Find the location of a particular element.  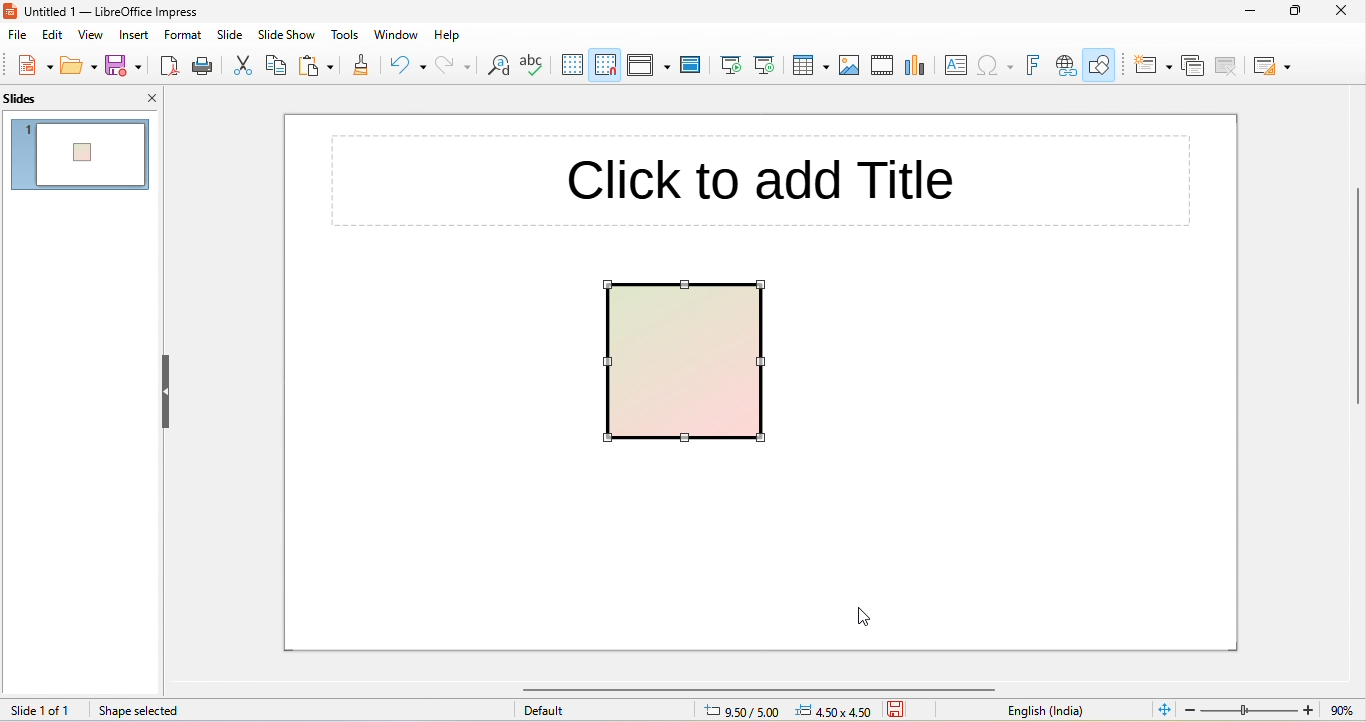

tools is located at coordinates (346, 34).